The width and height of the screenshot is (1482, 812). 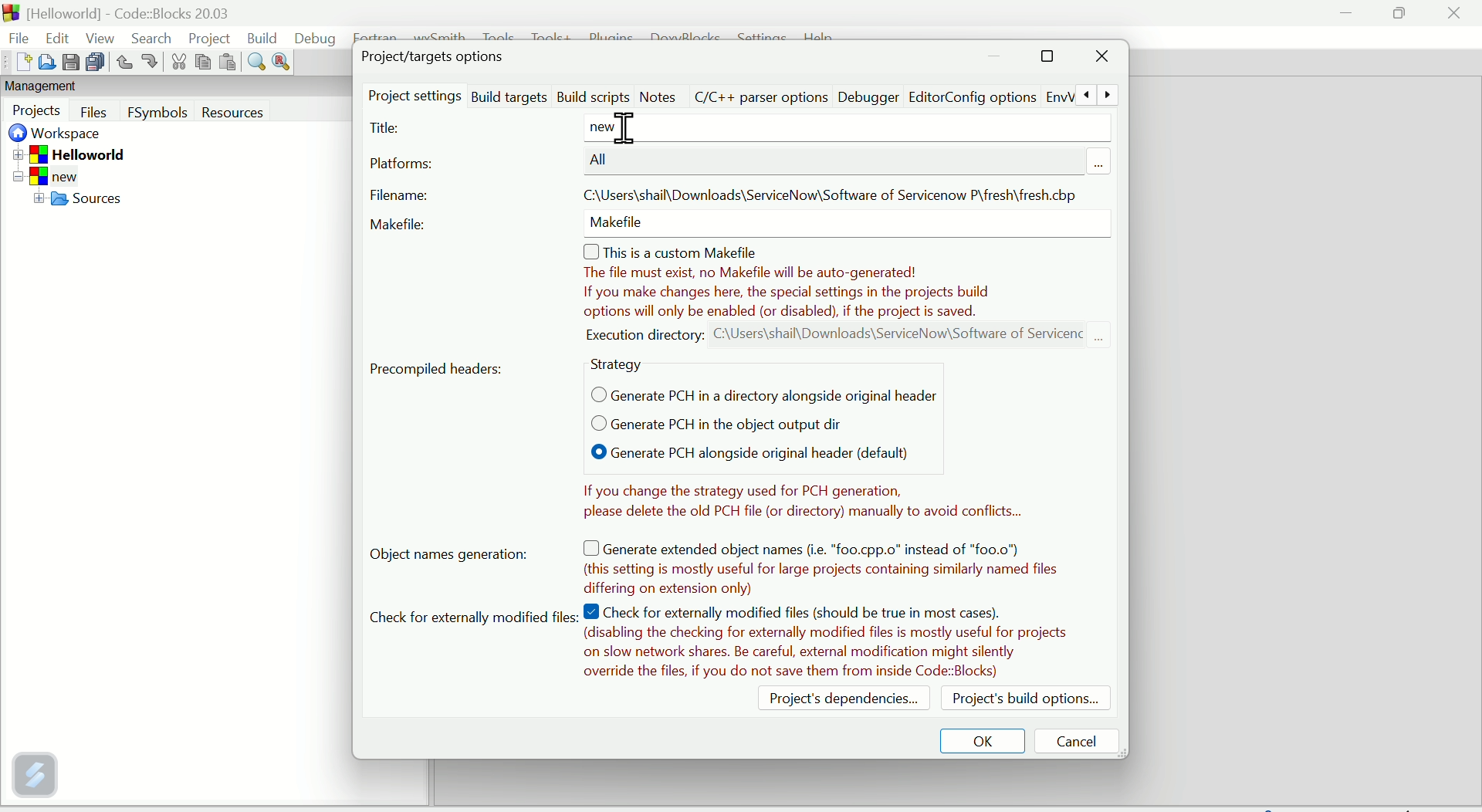 What do you see at coordinates (702, 424) in the screenshot?
I see `Generate PCH in the object output dir` at bounding box center [702, 424].